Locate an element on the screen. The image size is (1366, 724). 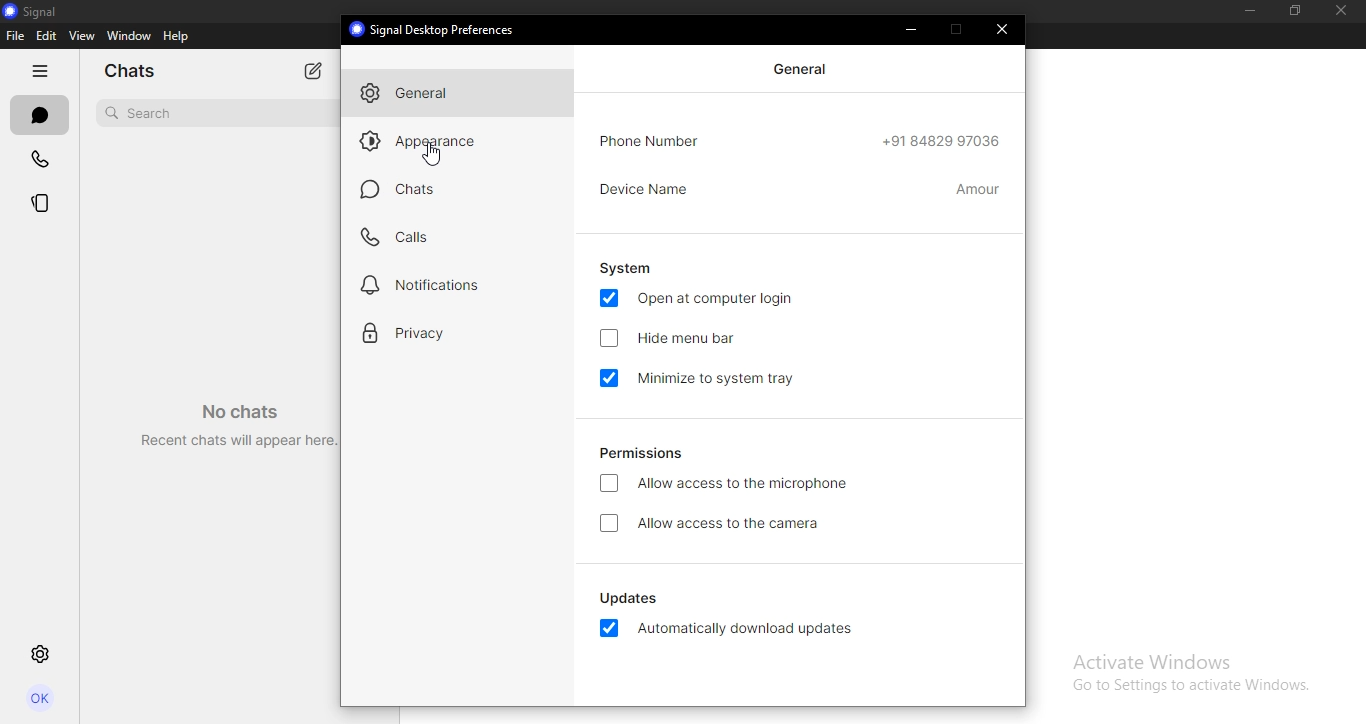
settings is located at coordinates (41, 656).